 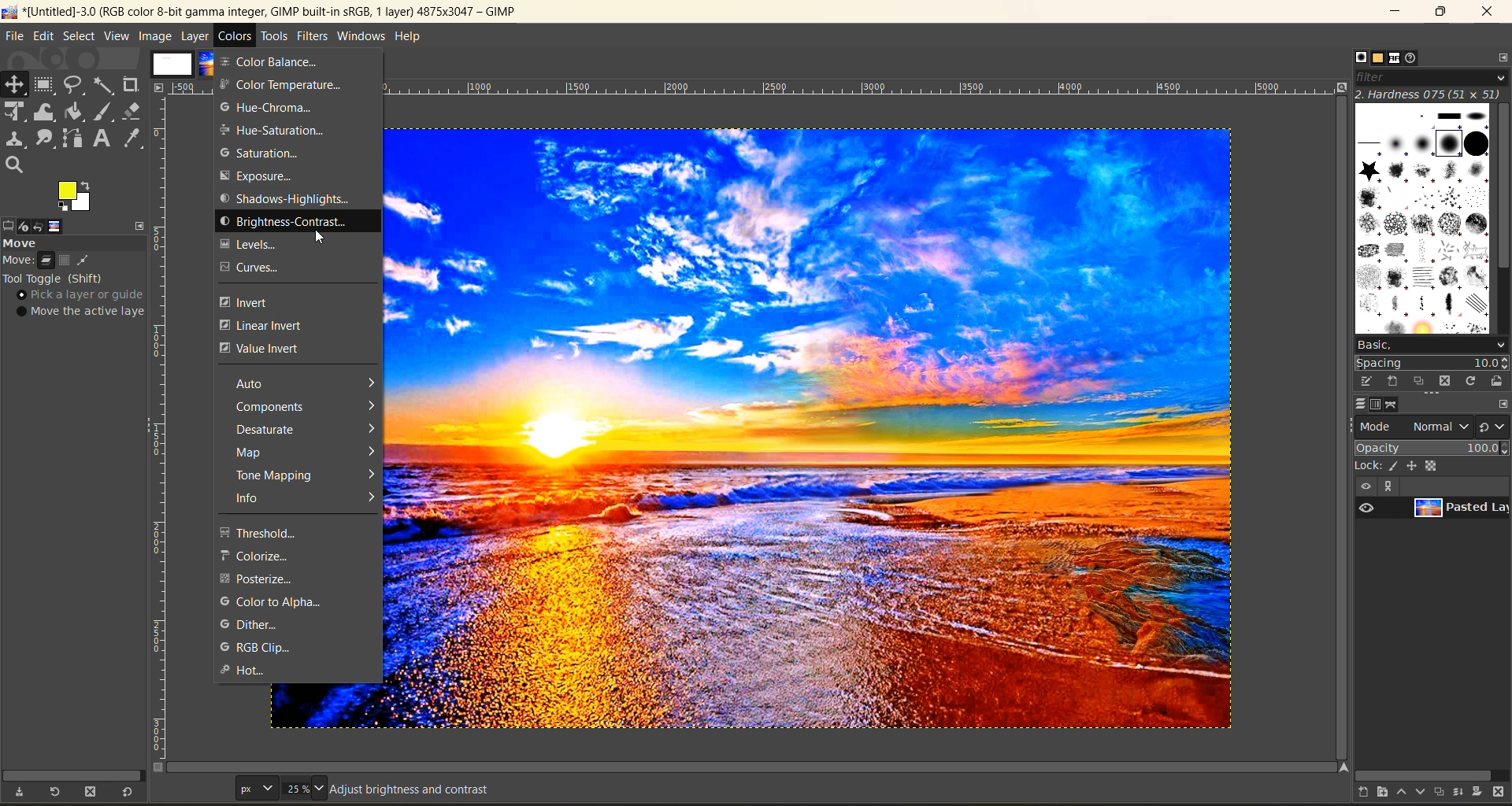 I want to click on fonts, so click(x=1399, y=60).